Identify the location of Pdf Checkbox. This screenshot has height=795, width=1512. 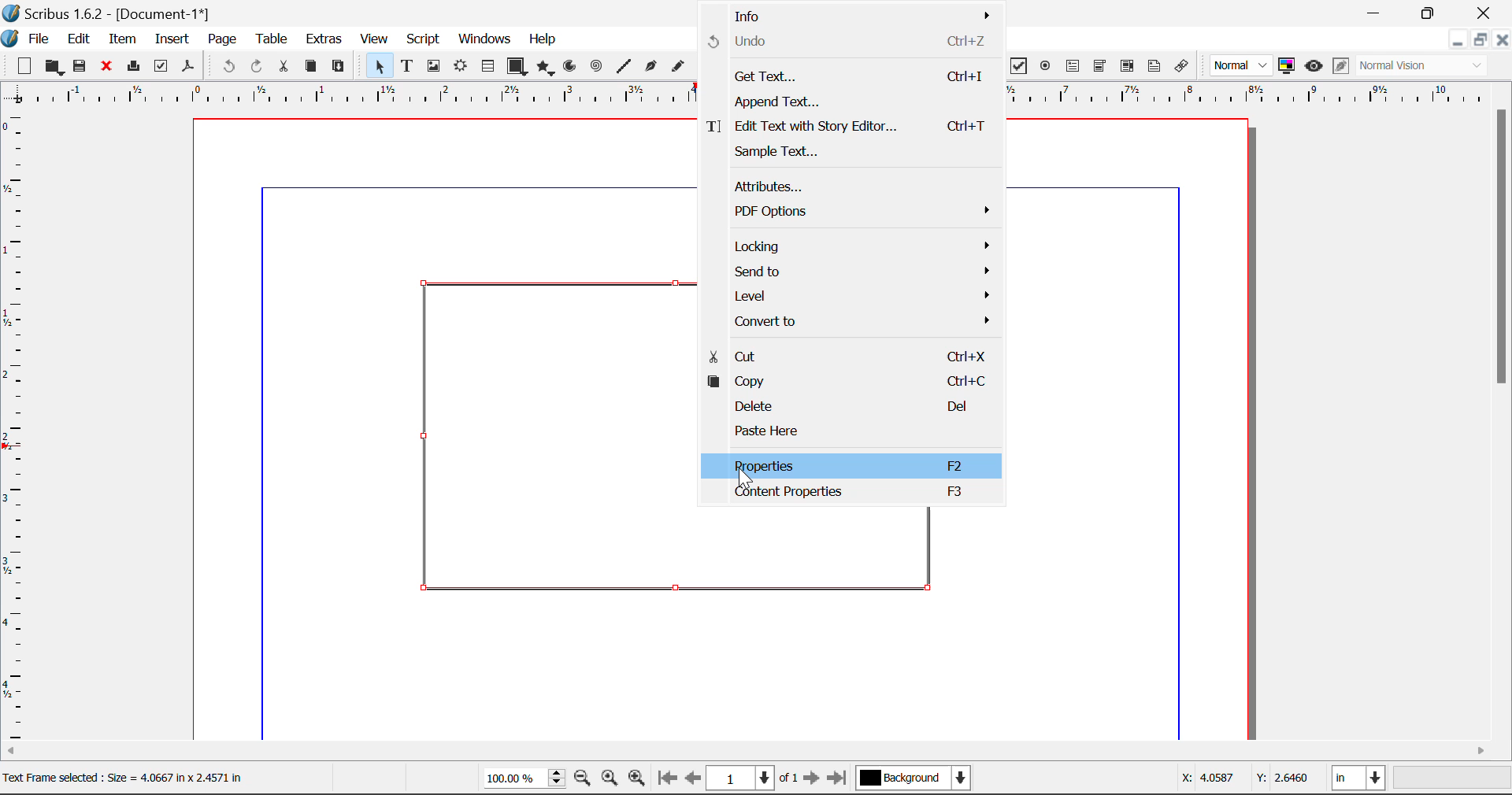
(1019, 66).